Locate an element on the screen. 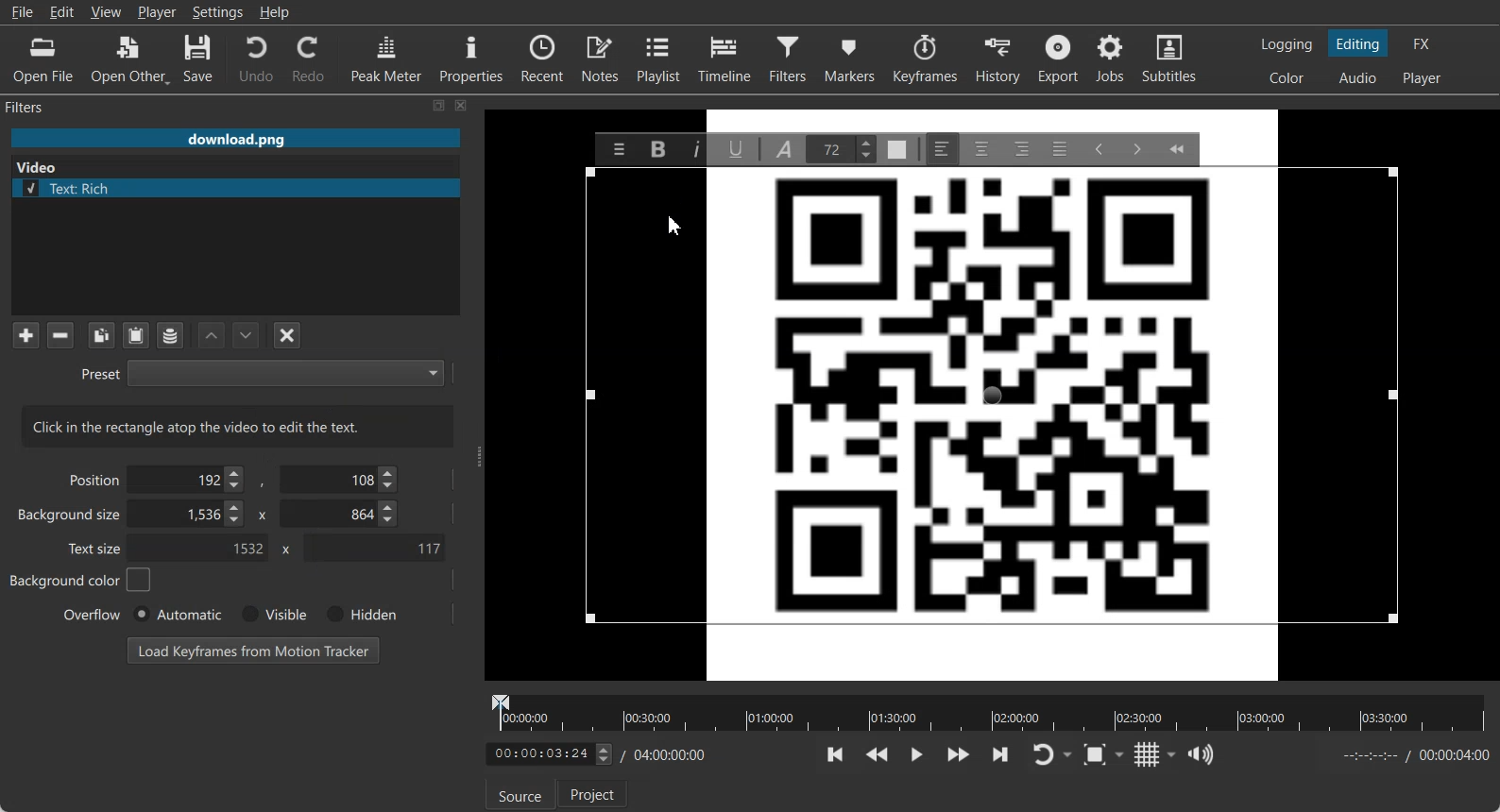  Show the volume control is located at coordinates (1201, 755).